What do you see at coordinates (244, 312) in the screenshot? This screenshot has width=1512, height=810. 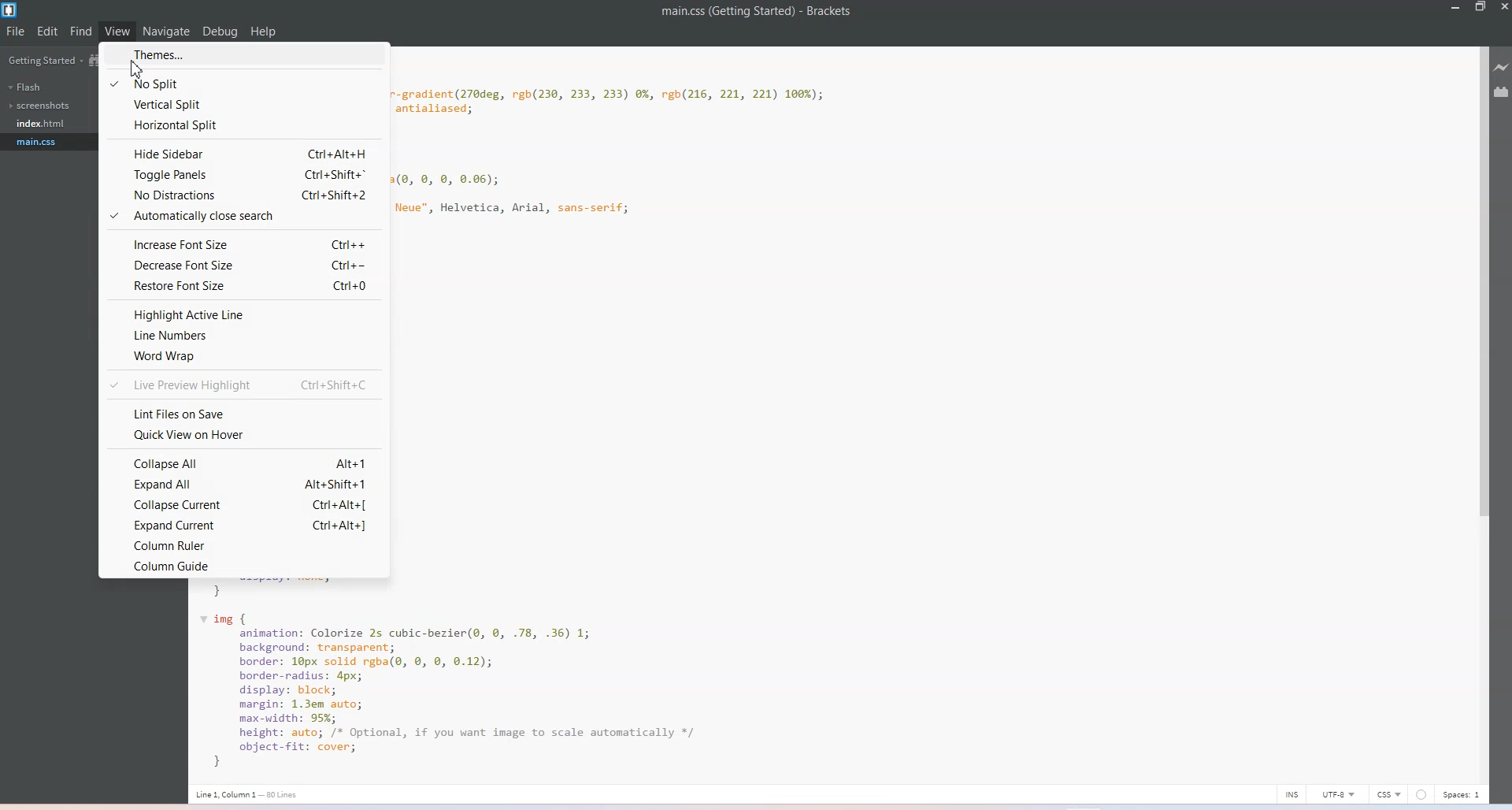 I see `Highlight active line` at bounding box center [244, 312].